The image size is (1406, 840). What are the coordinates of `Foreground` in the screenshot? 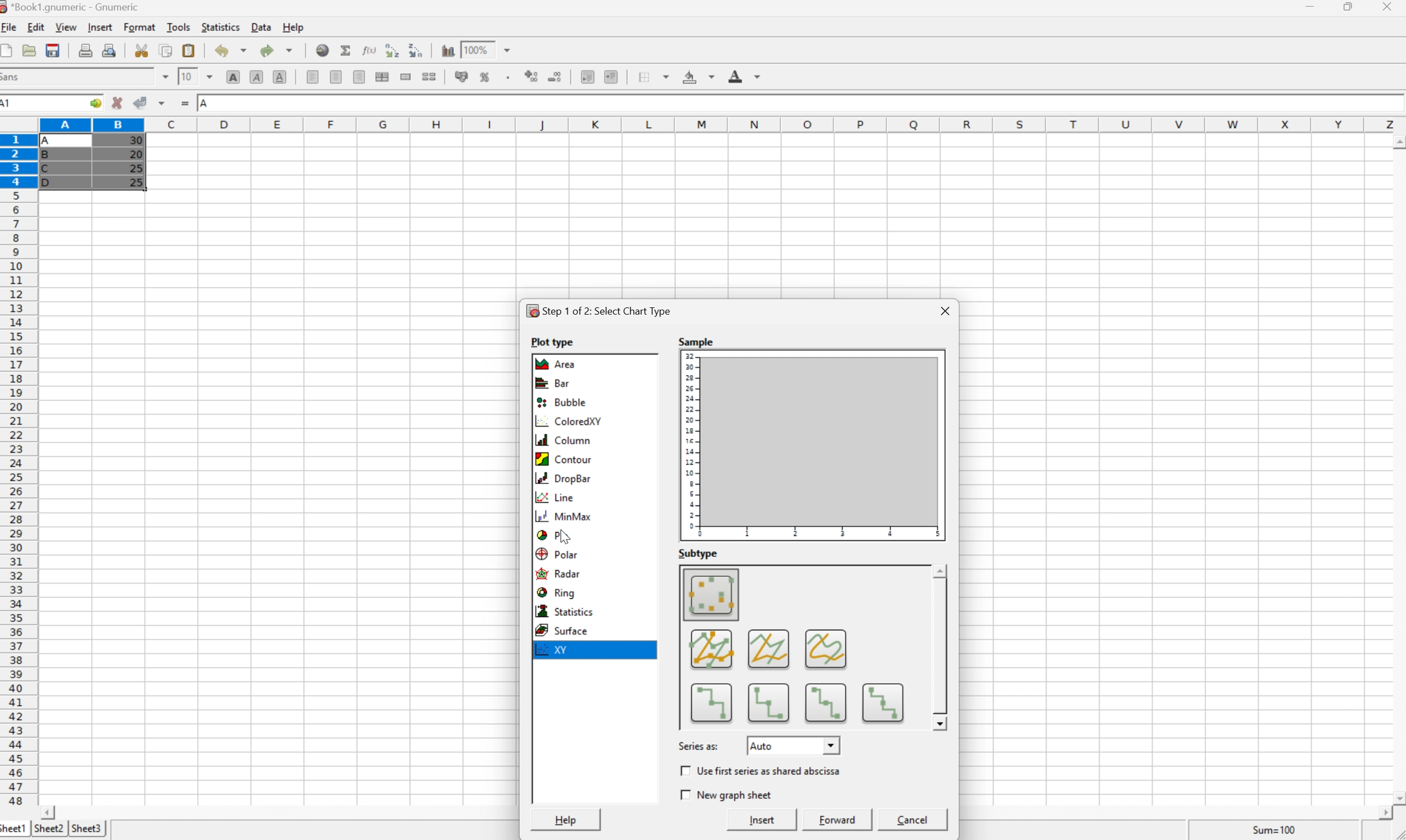 It's located at (746, 76).